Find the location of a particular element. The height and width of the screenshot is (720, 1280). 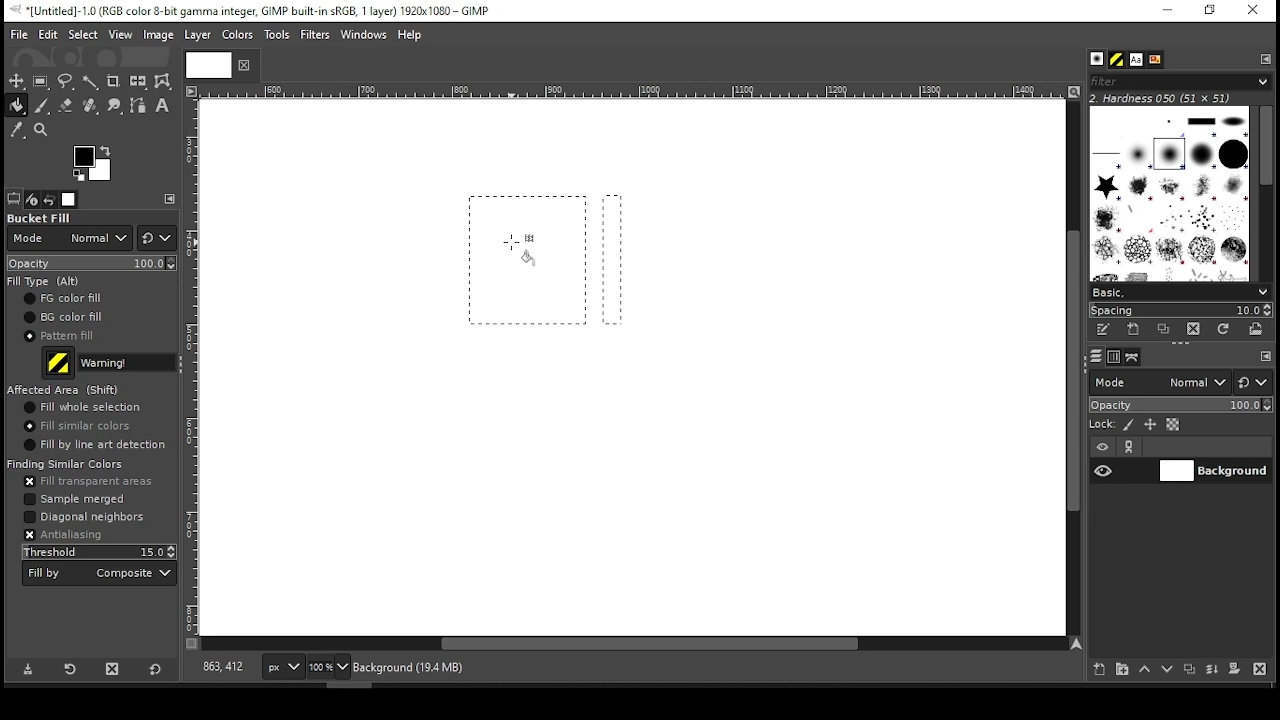

color is located at coordinates (238, 34).